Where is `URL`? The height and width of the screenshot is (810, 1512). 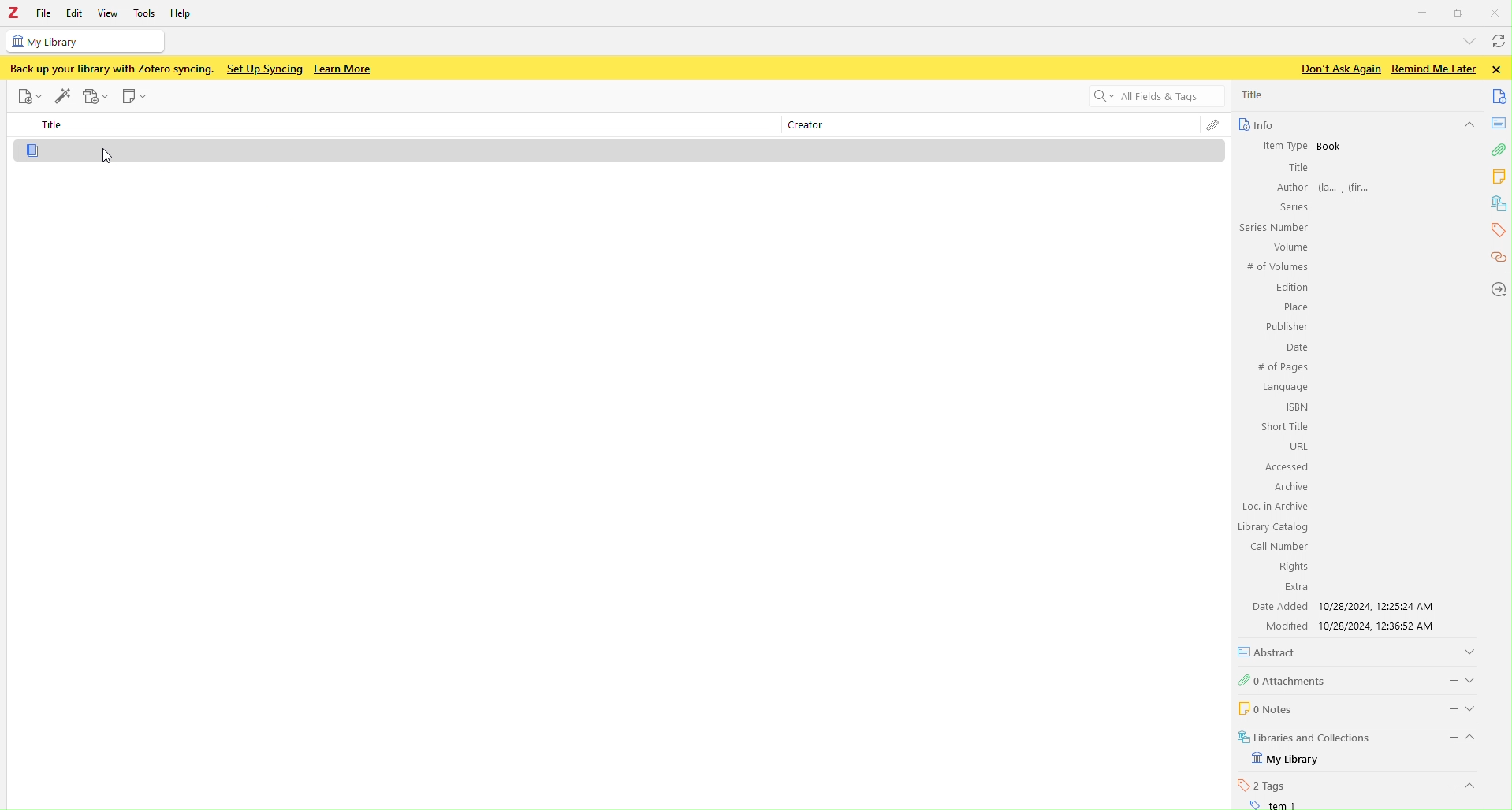
URL is located at coordinates (1297, 446).